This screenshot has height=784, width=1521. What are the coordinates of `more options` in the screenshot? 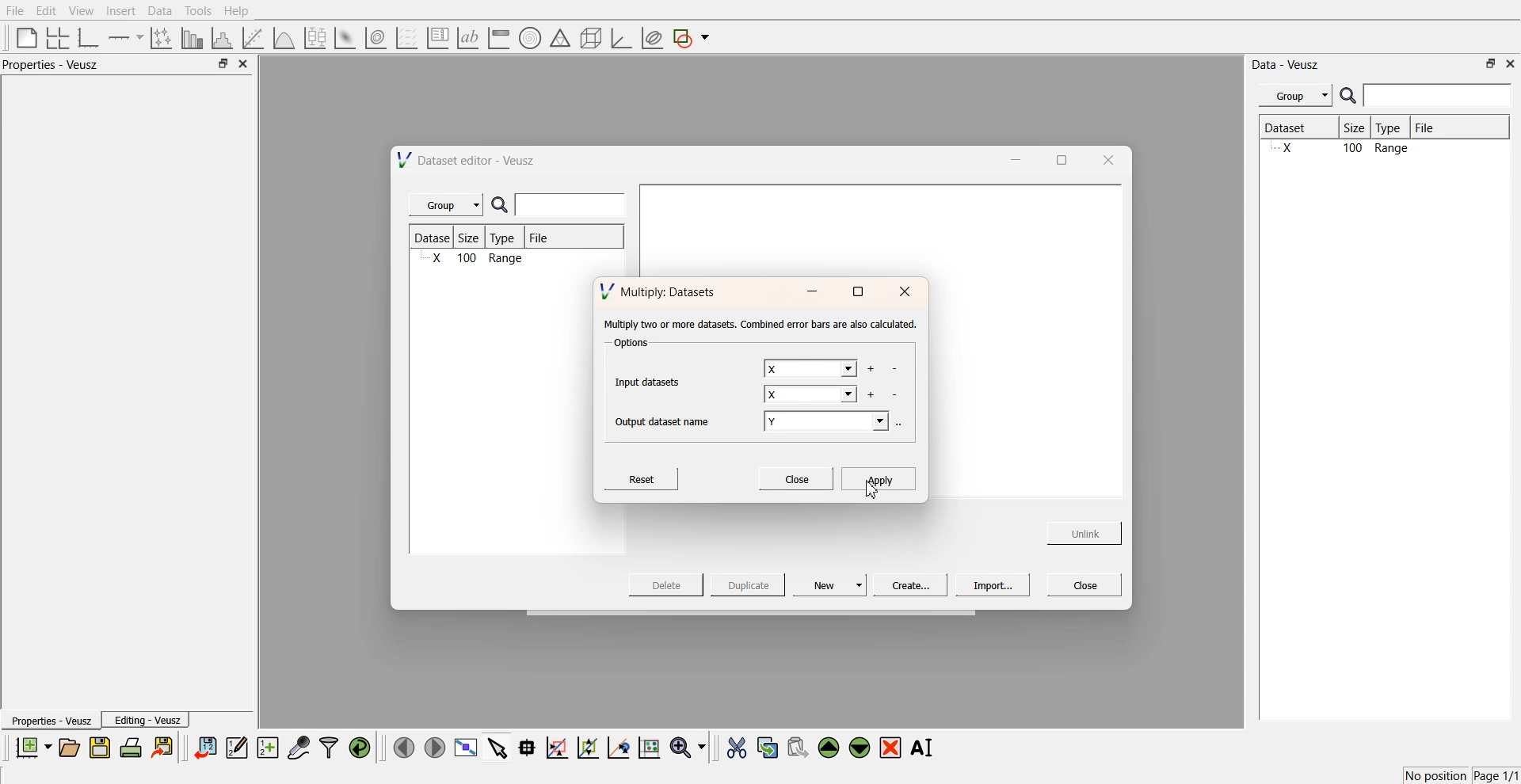 It's located at (903, 423).